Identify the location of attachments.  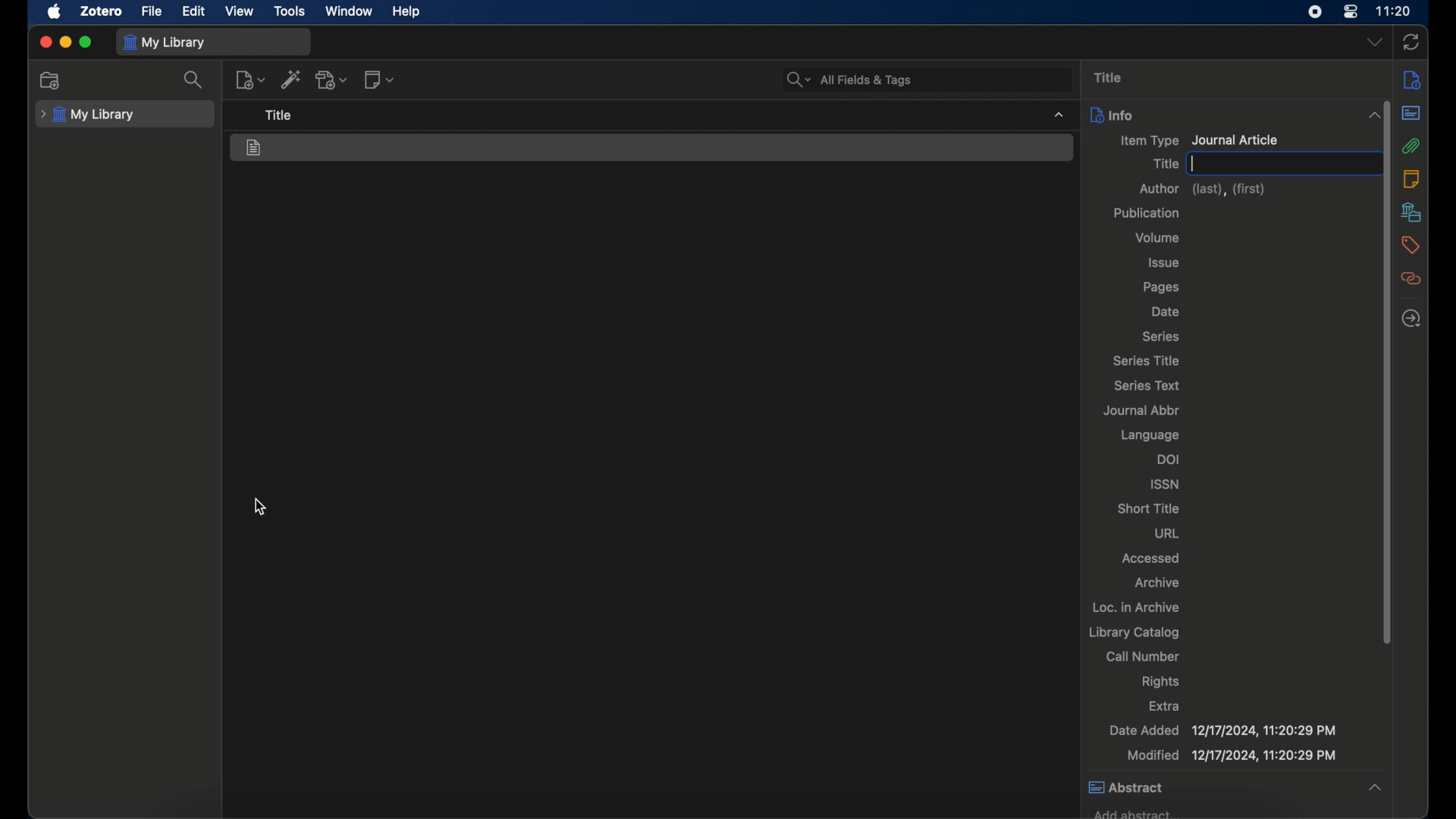
(1410, 146).